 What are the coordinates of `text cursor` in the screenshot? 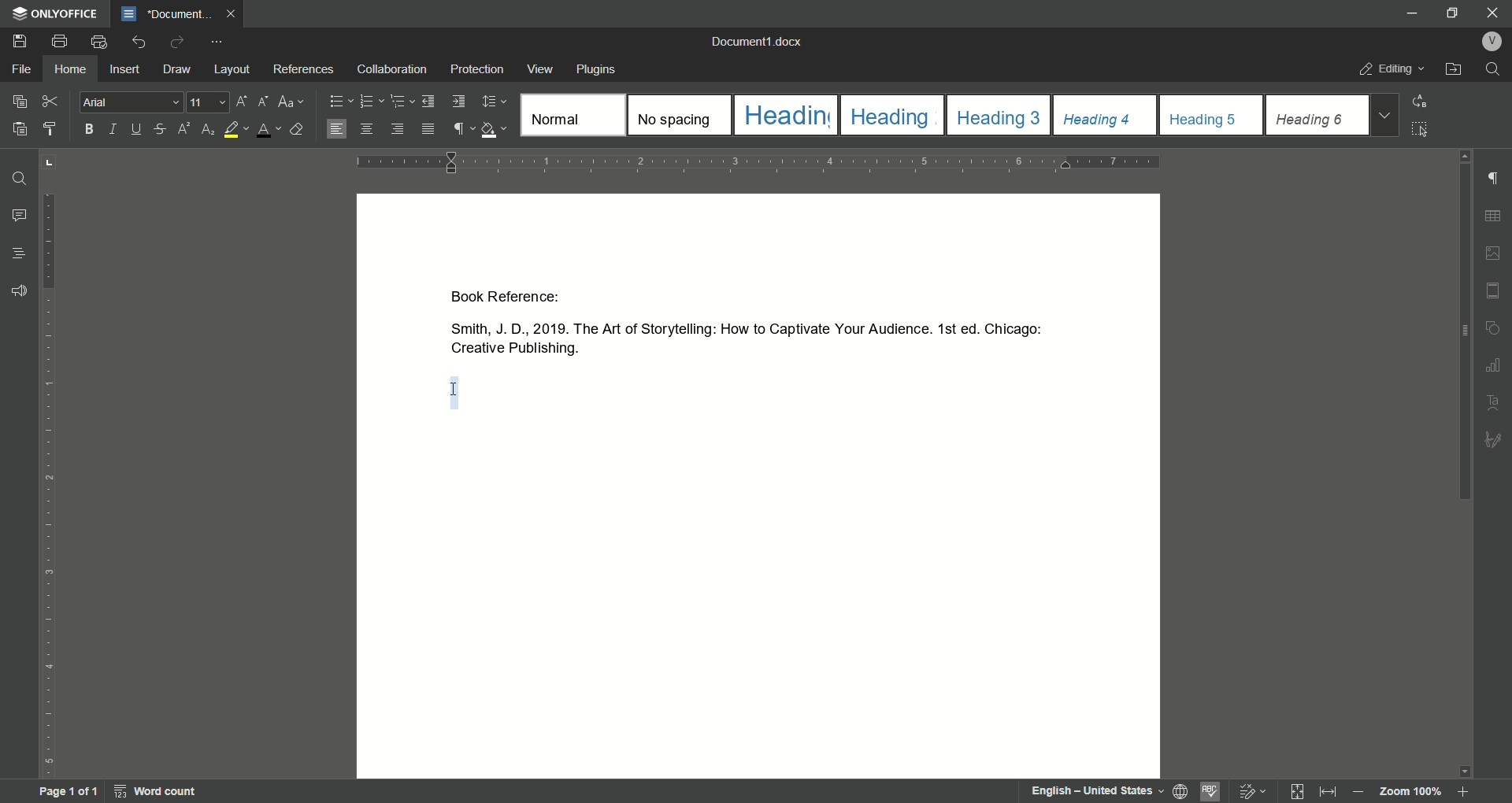 It's located at (454, 390).